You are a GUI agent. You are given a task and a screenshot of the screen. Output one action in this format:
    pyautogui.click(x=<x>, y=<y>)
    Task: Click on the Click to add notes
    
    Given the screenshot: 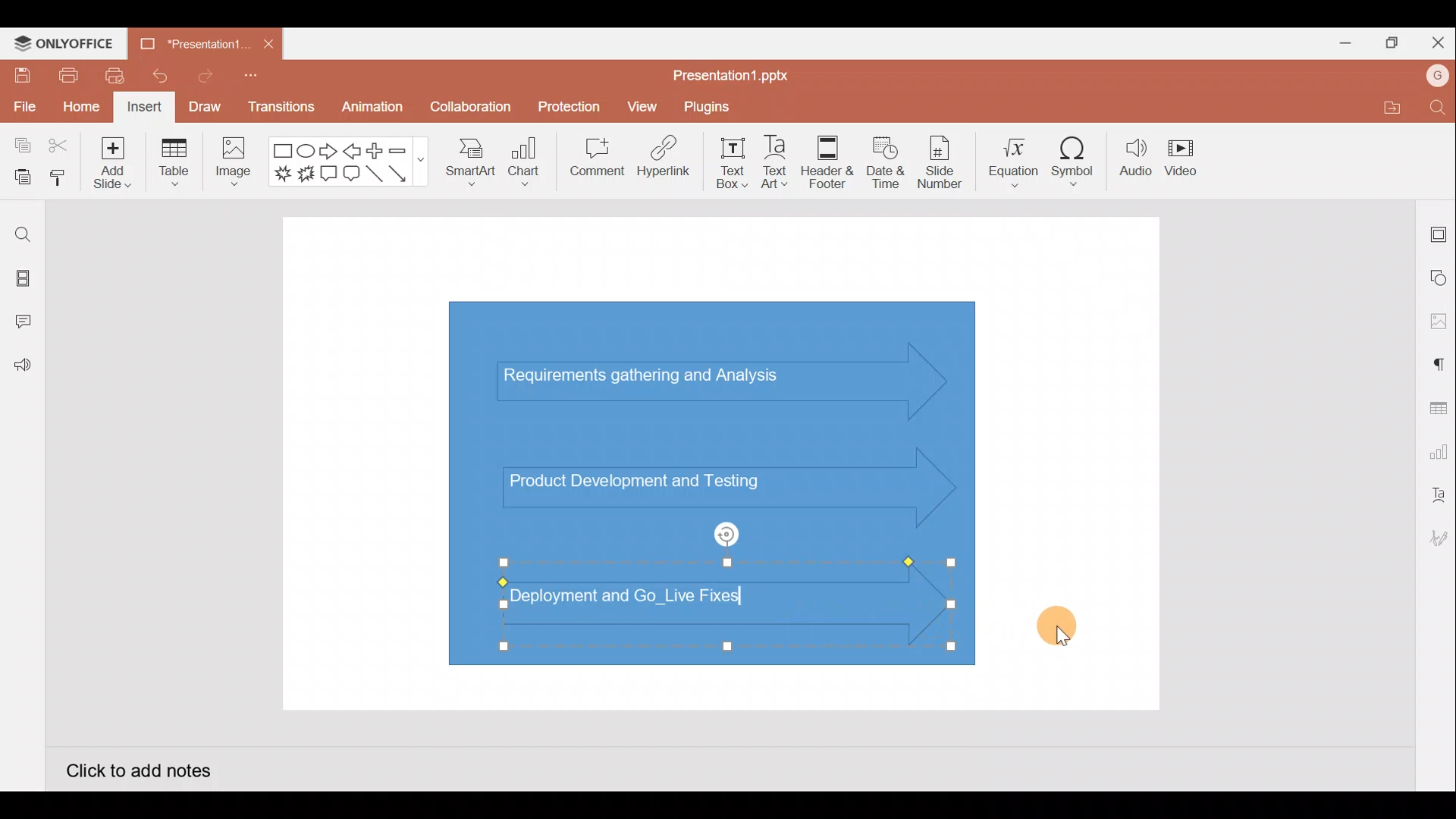 What is the action you would take?
    pyautogui.click(x=138, y=769)
    